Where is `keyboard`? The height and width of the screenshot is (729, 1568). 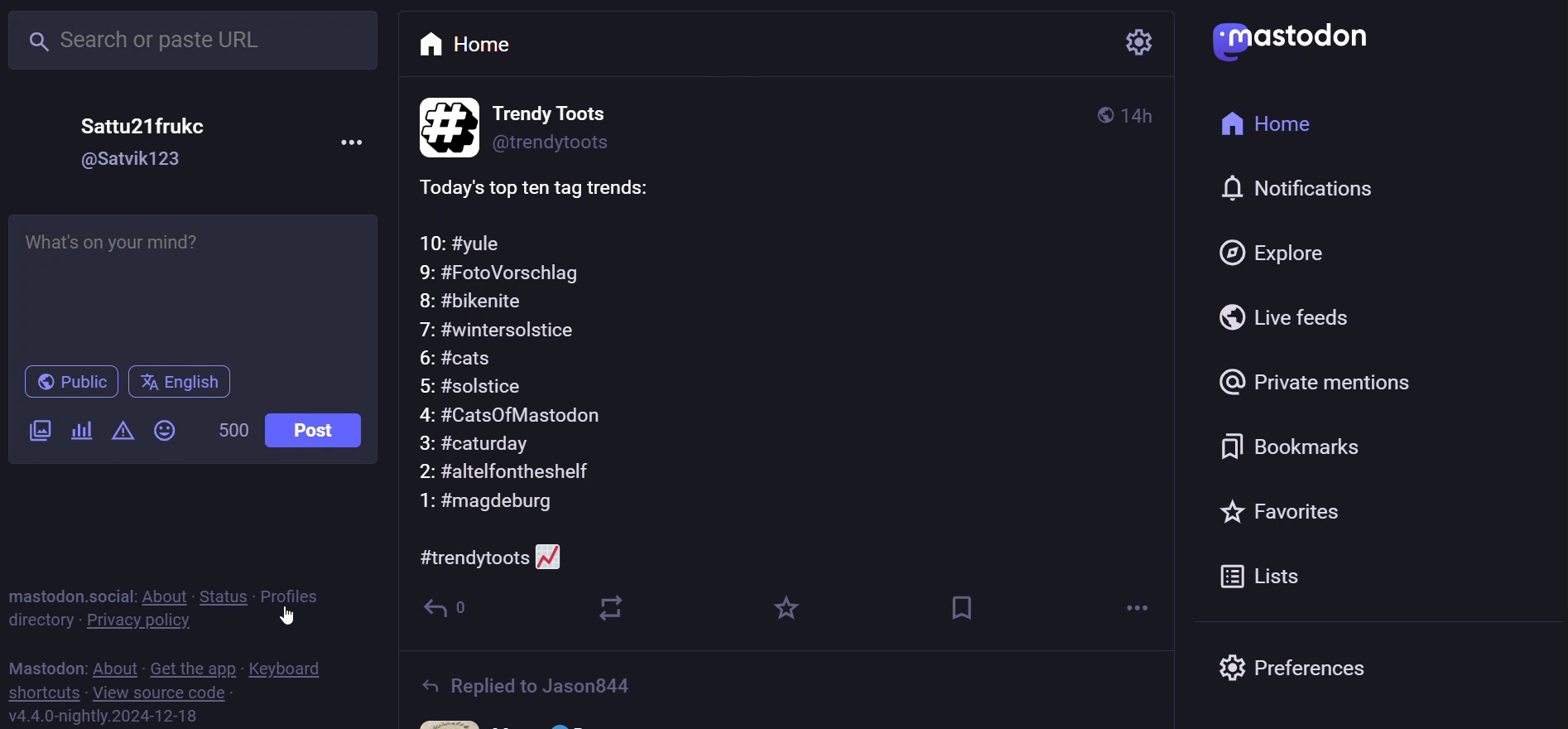
keyboard is located at coordinates (289, 669).